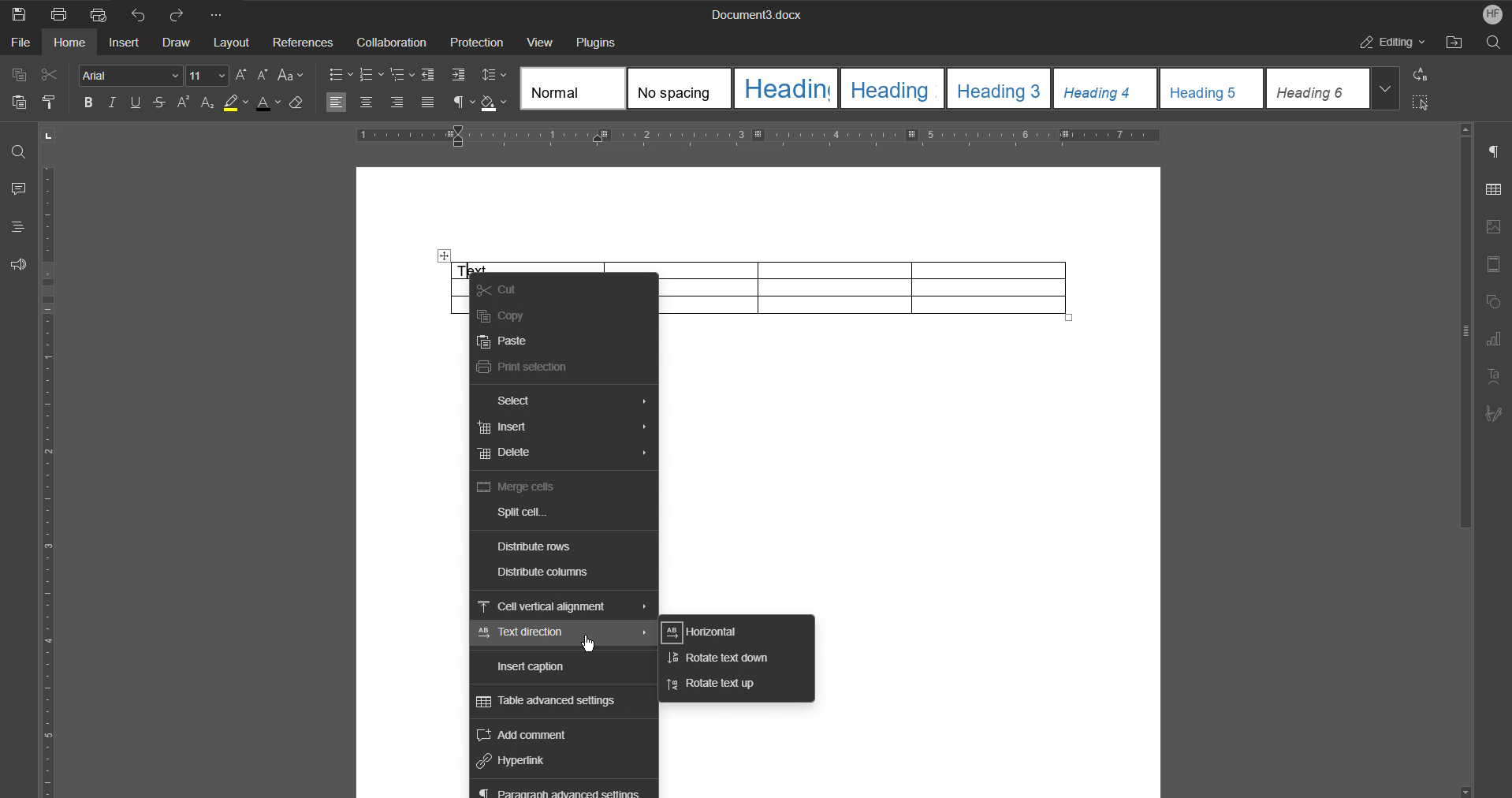 This screenshot has width=1512, height=798. I want to click on Text direction, so click(529, 634).